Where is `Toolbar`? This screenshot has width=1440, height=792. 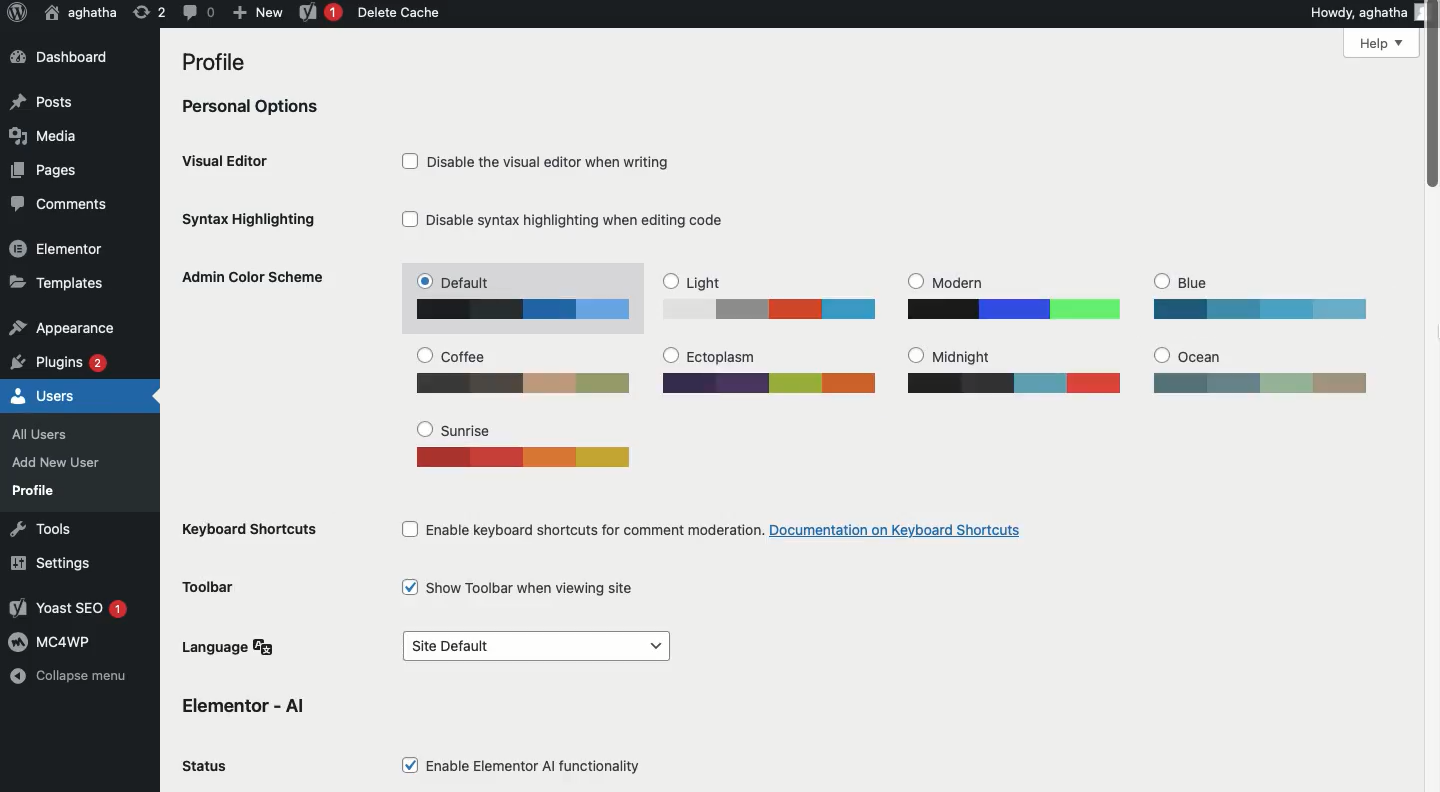 Toolbar is located at coordinates (202, 588).